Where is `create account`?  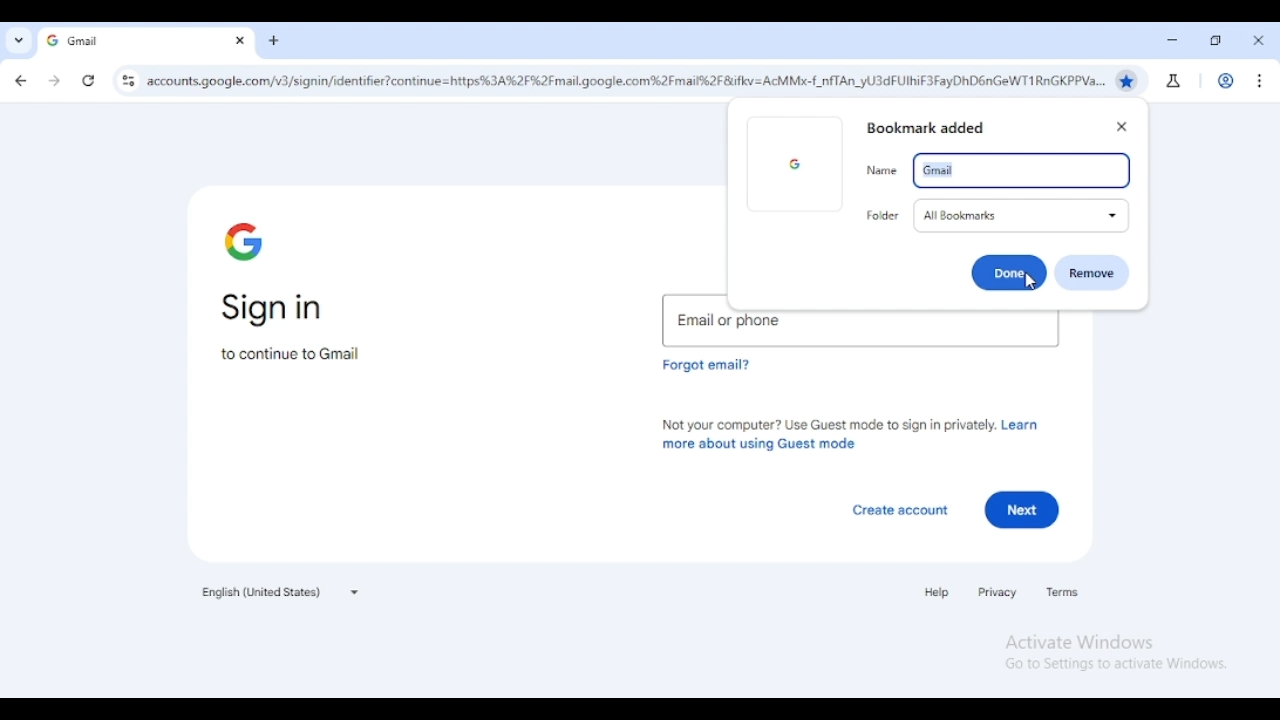
create account is located at coordinates (902, 511).